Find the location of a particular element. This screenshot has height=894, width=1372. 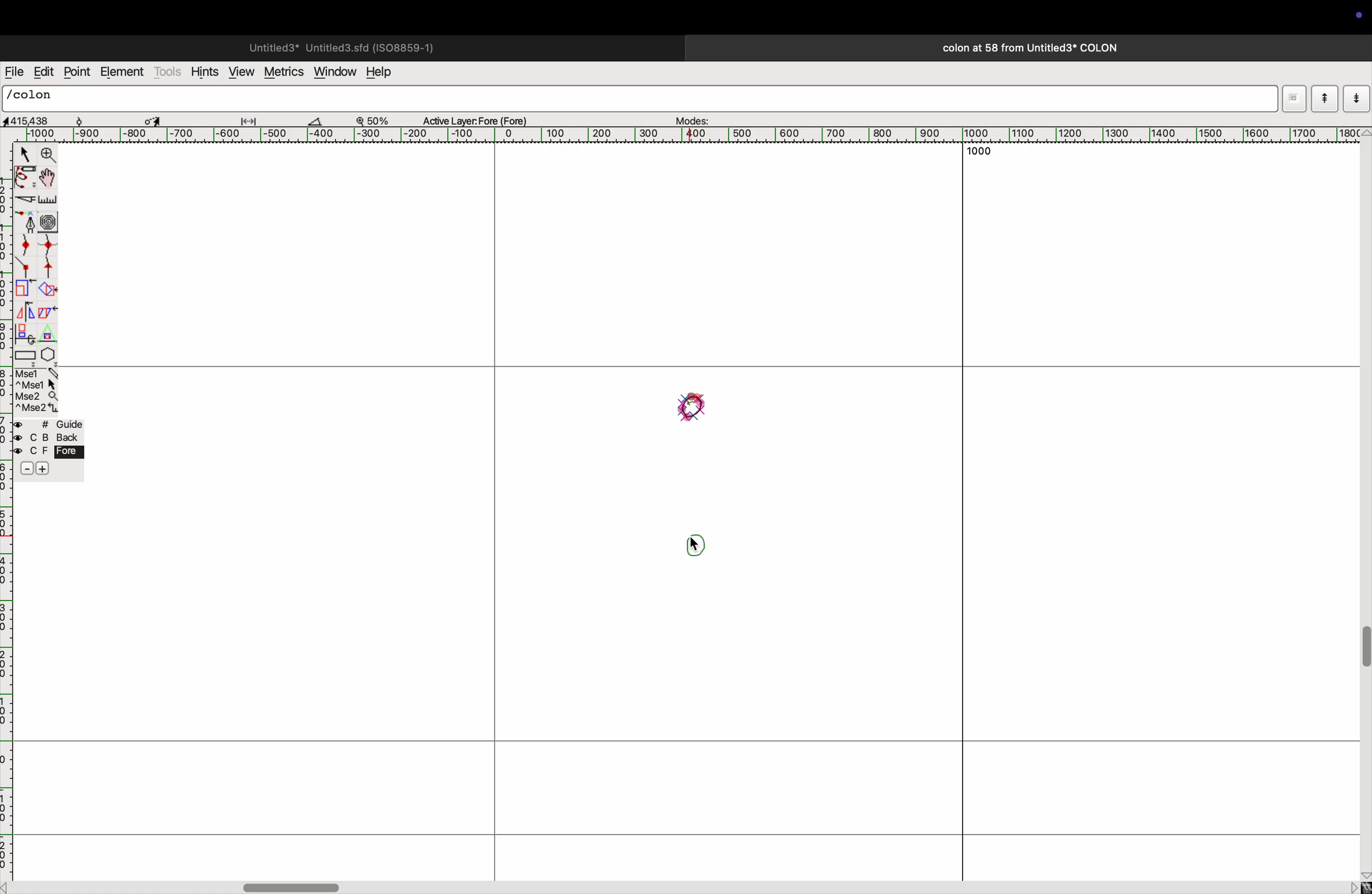

file is located at coordinates (14, 72).